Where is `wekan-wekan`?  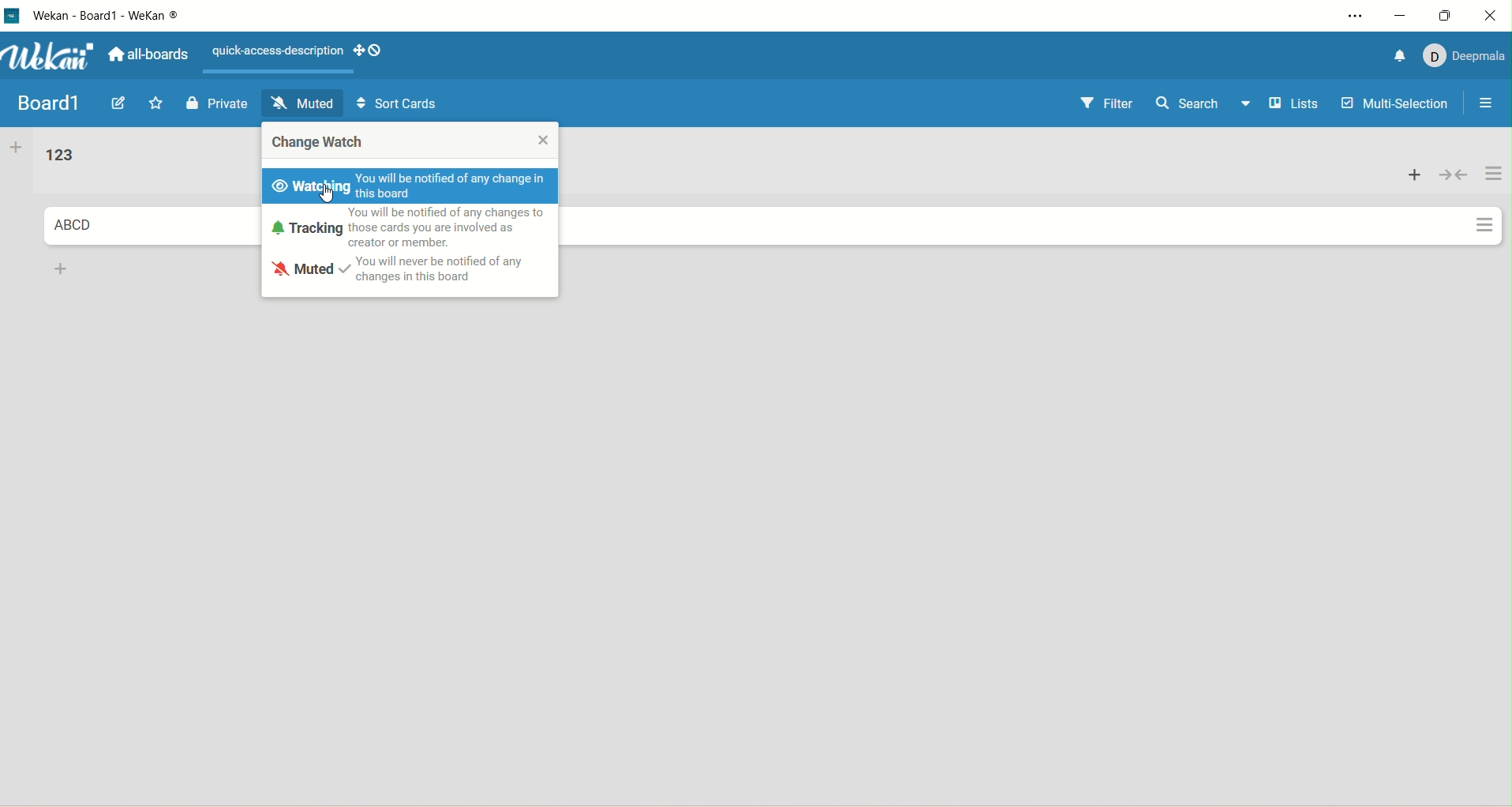 wekan-wekan is located at coordinates (107, 16).